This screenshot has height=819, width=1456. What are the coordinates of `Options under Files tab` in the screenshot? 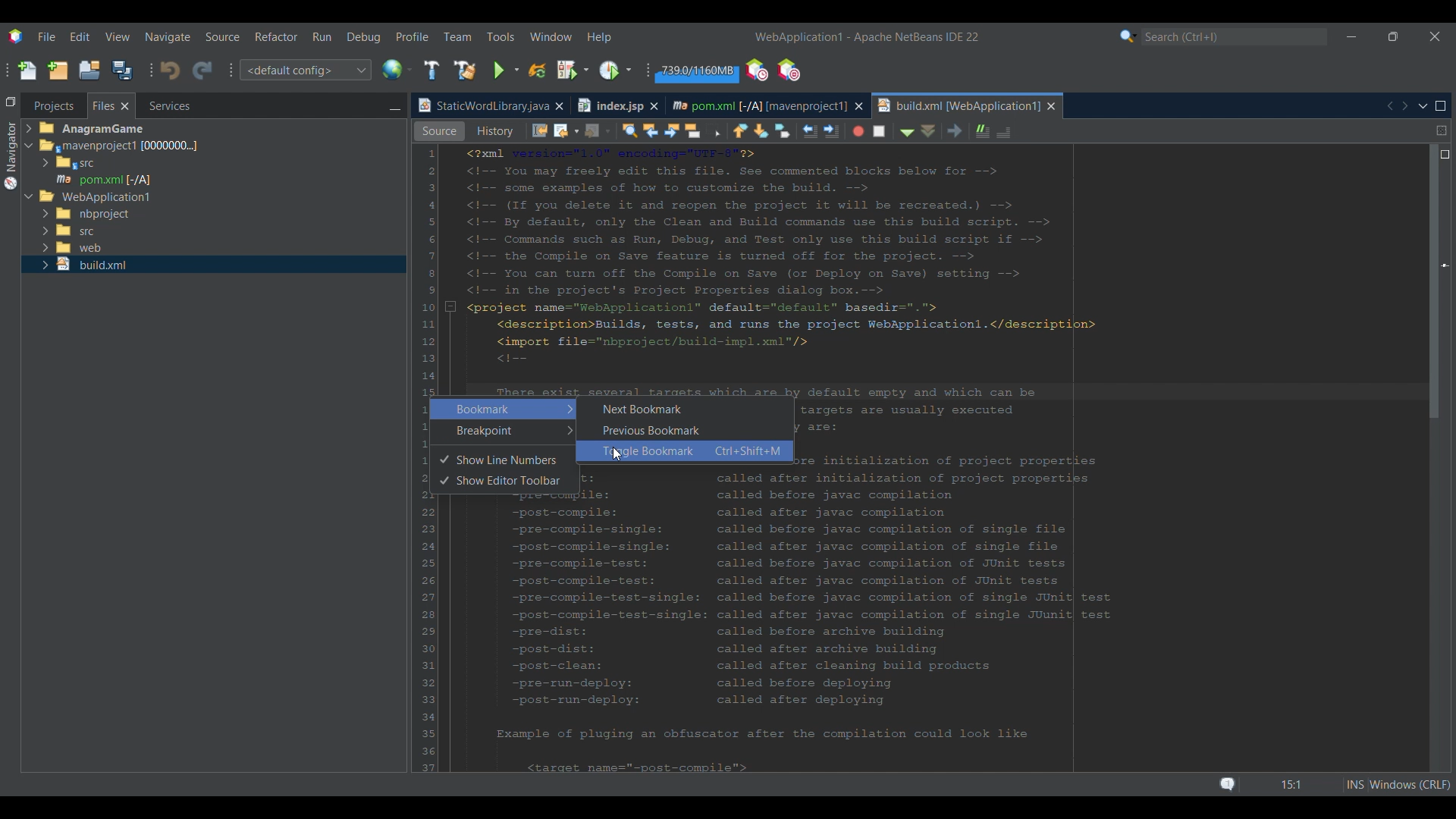 It's located at (107, 165).